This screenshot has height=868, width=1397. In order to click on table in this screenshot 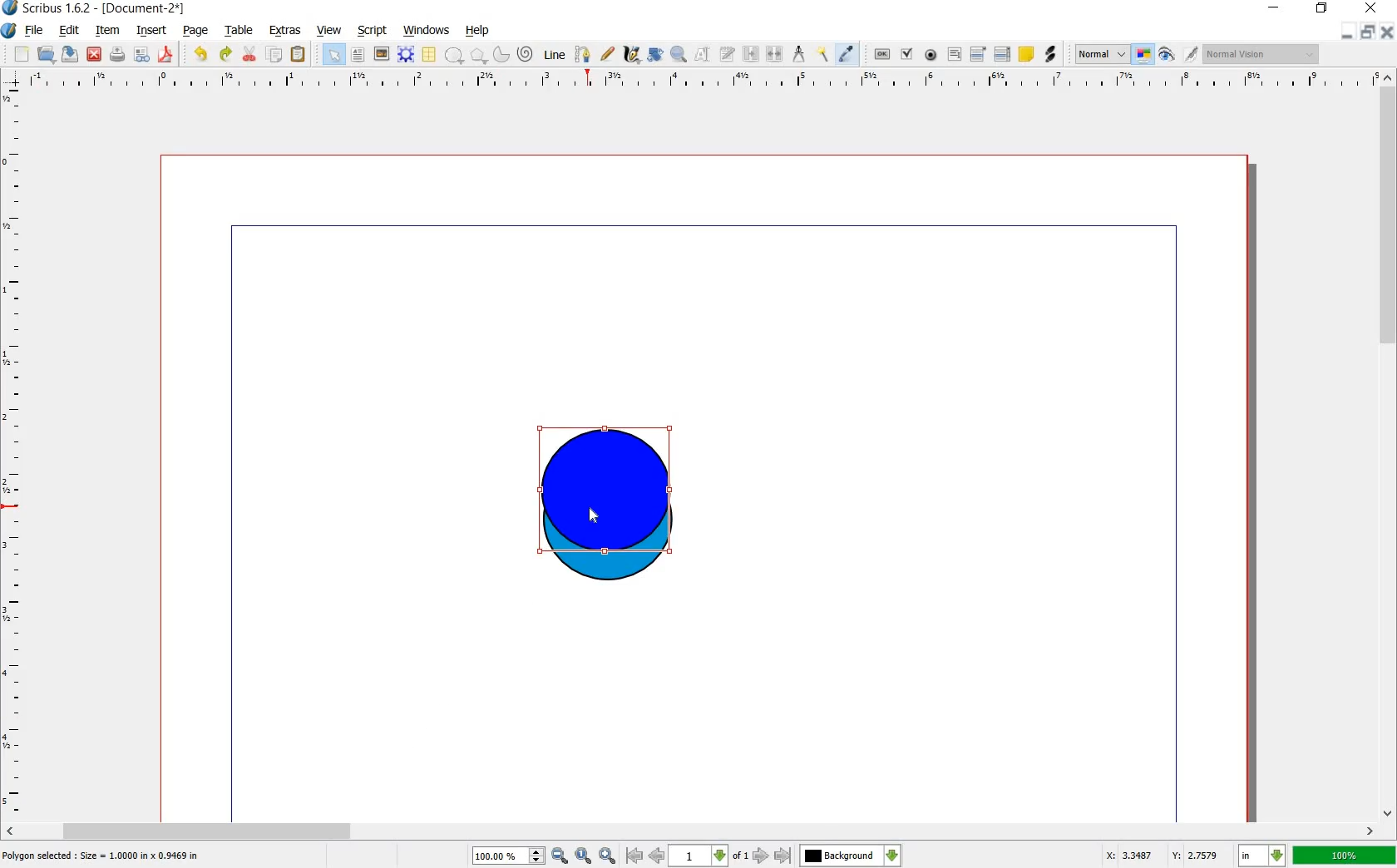, I will do `click(240, 31)`.